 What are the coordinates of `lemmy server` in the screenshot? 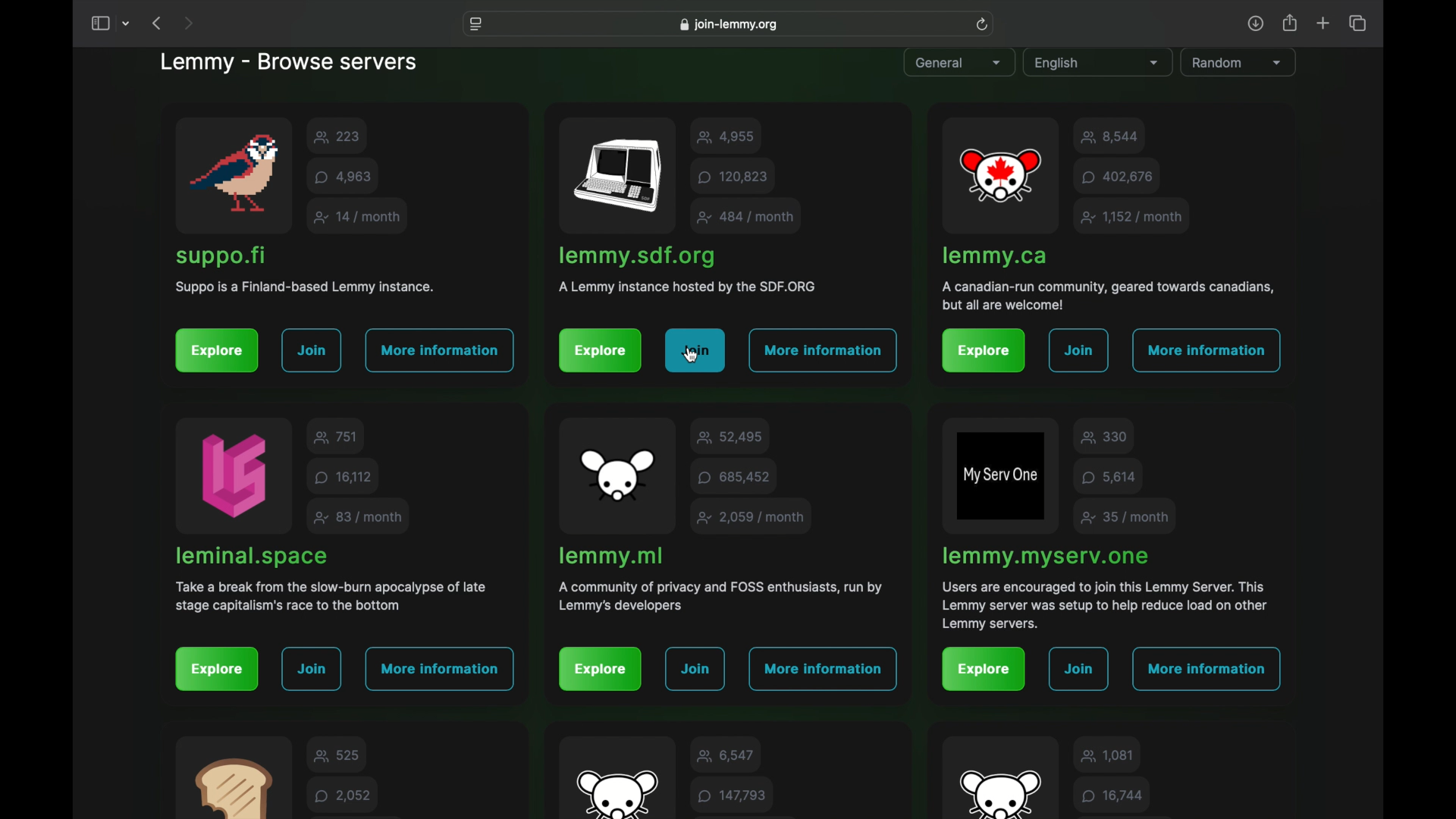 It's located at (613, 557).